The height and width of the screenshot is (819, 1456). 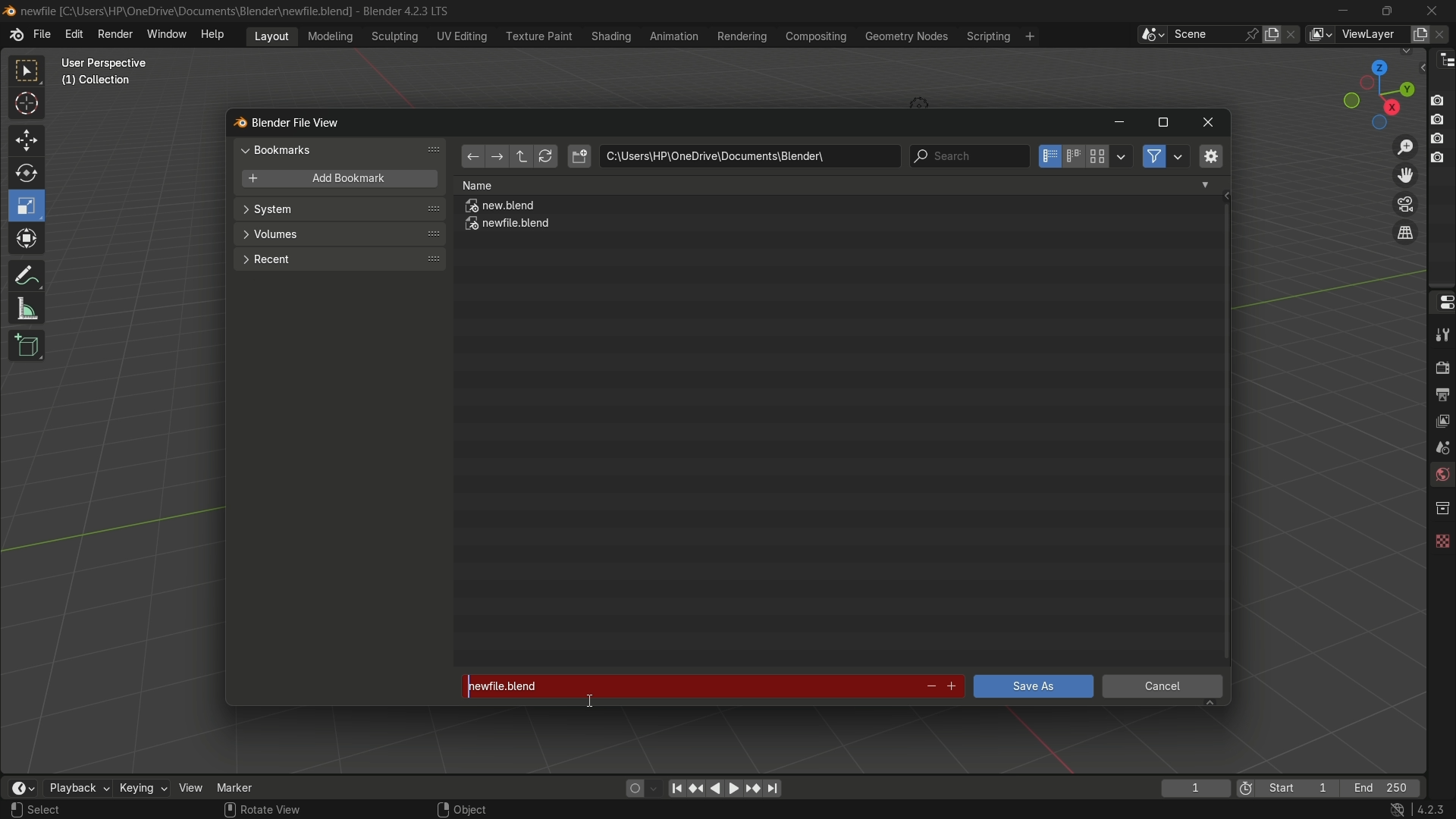 I want to click on geometry nodes menu, so click(x=905, y=36).